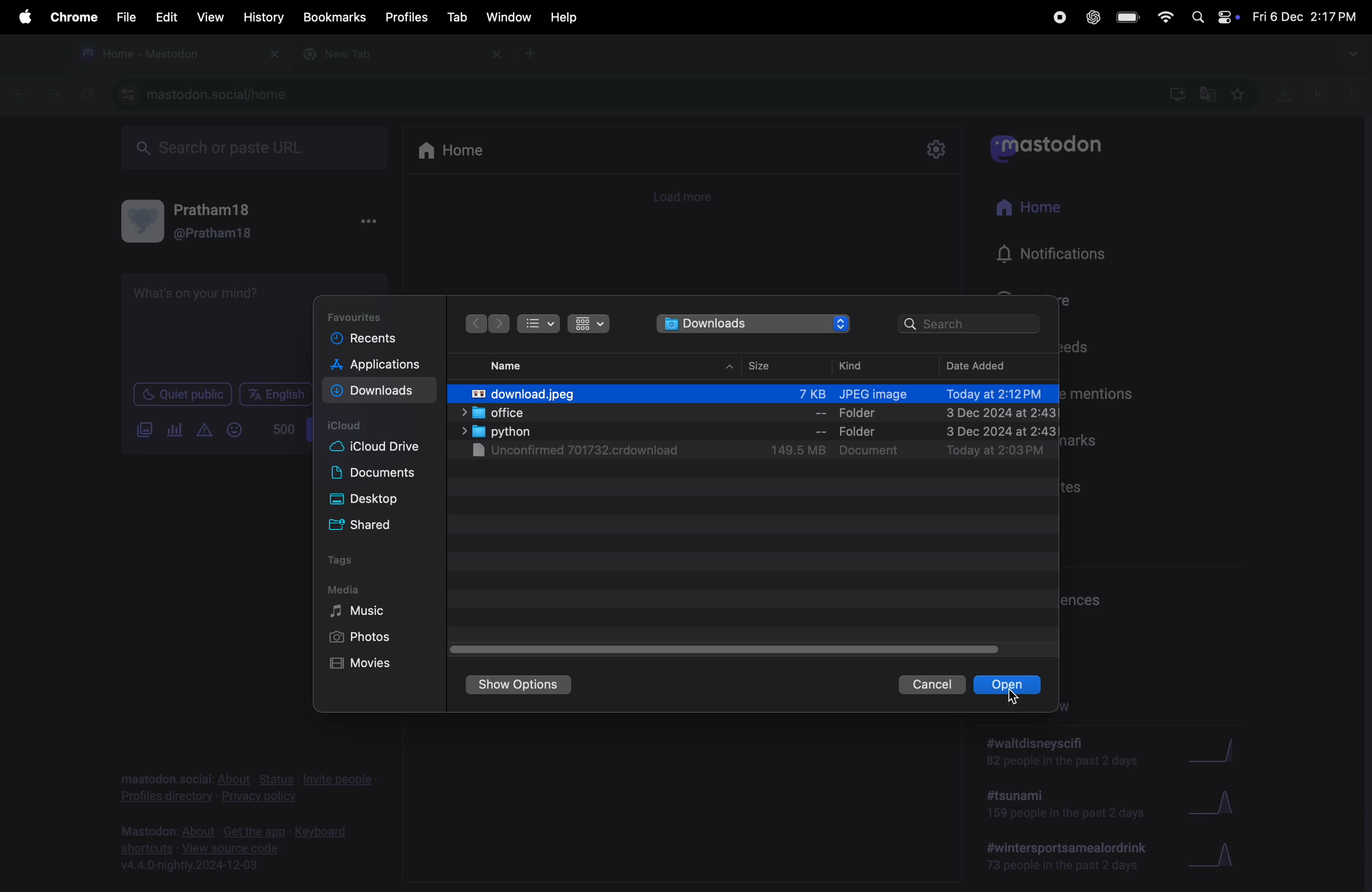 The height and width of the screenshot is (892, 1372). Describe the element at coordinates (1210, 17) in the screenshot. I see `apple widgets` at that location.